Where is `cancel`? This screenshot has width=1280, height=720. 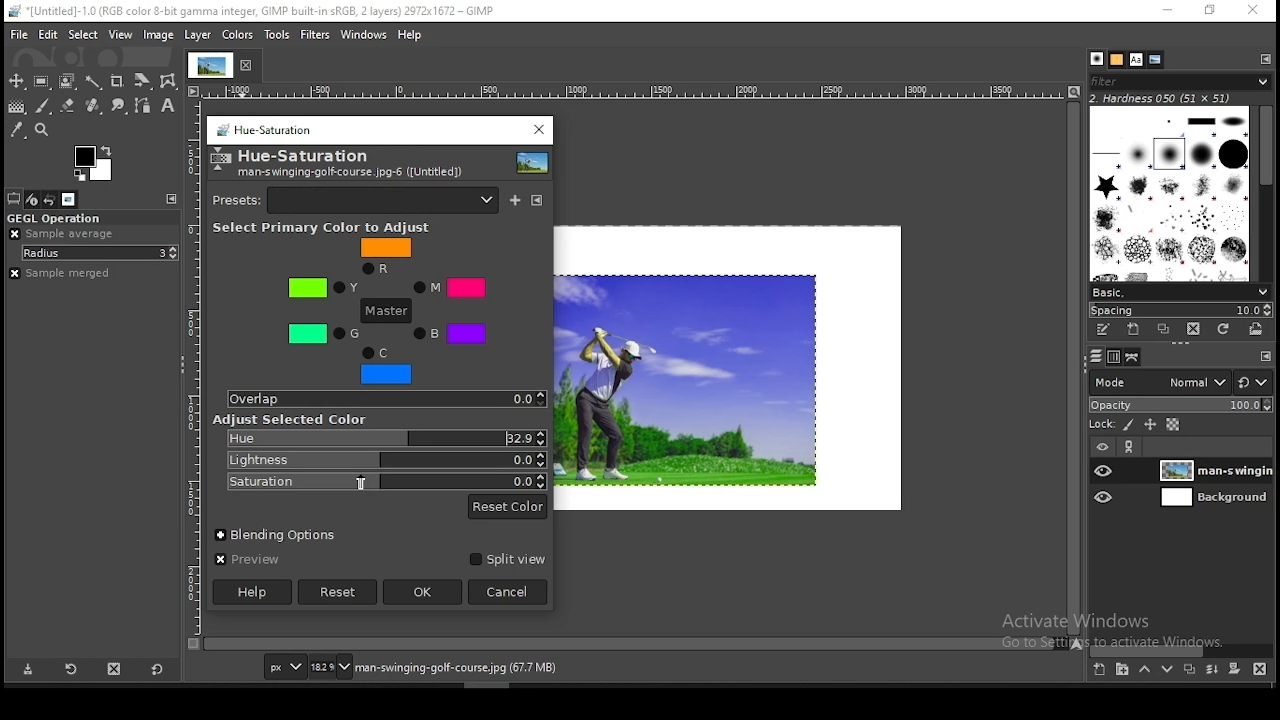
cancel is located at coordinates (510, 591).